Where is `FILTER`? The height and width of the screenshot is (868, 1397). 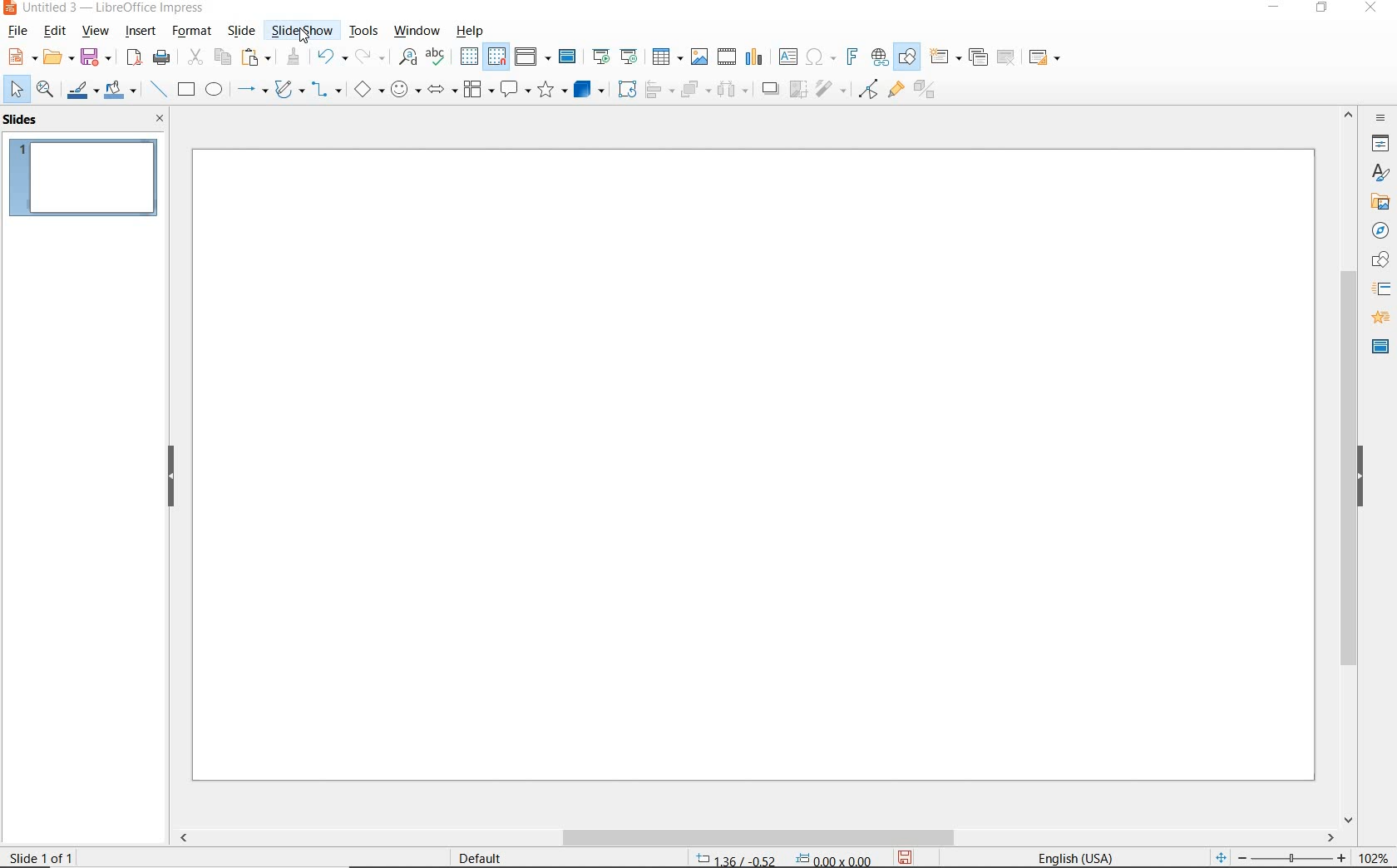 FILTER is located at coordinates (831, 89).